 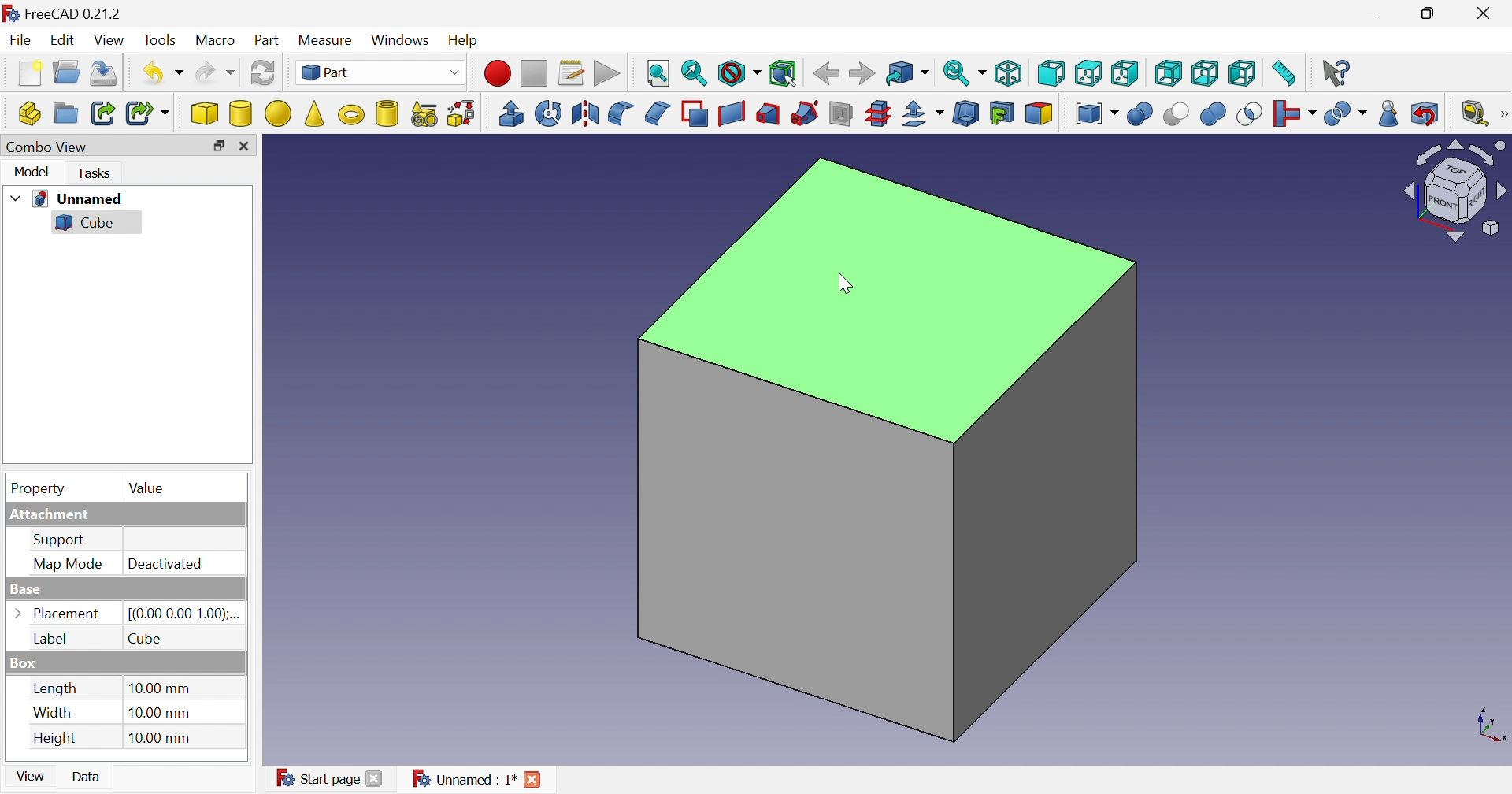 I want to click on Thickness, so click(x=966, y=111).